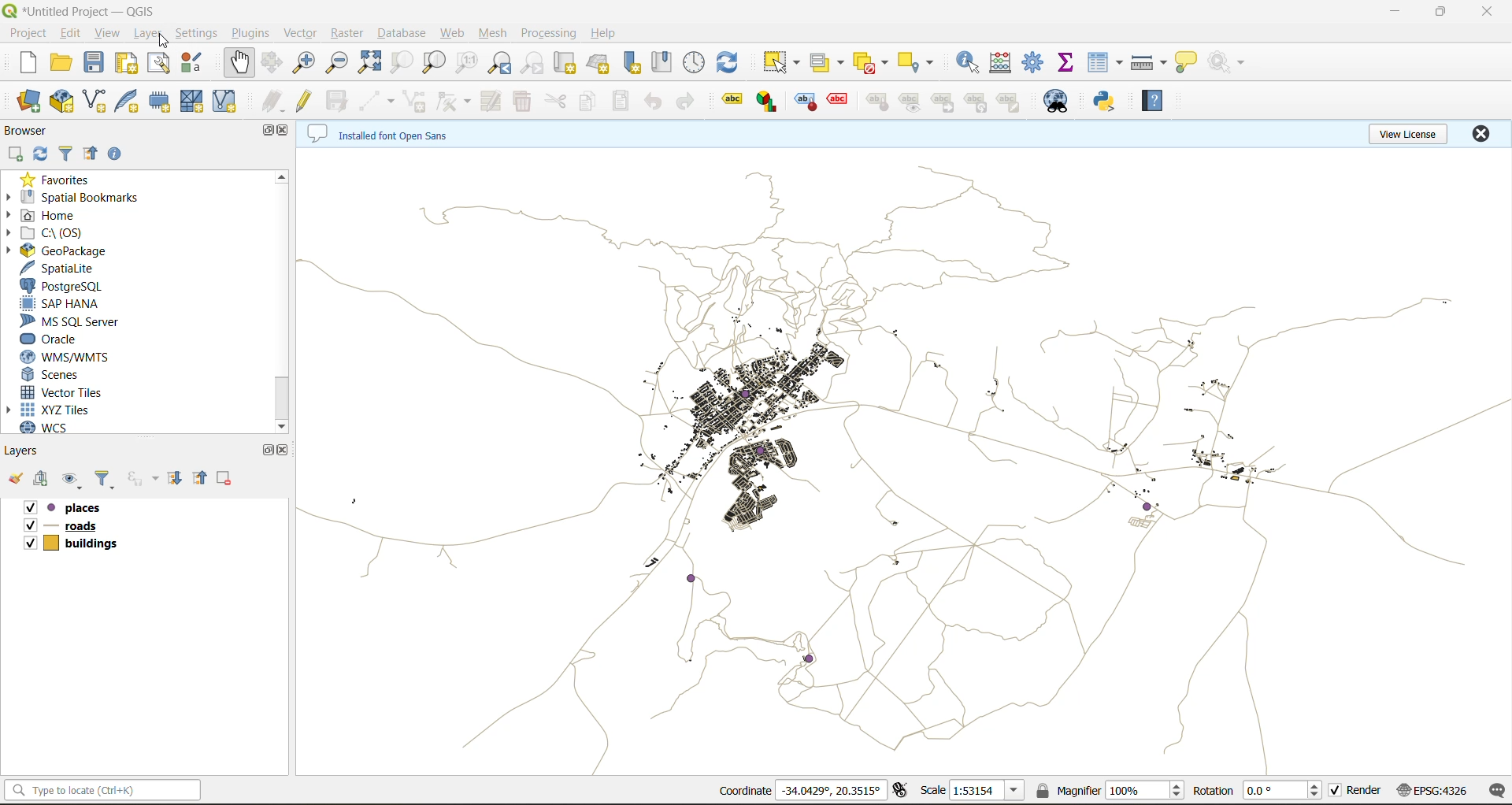  I want to click on save edits, so click(336, 102).